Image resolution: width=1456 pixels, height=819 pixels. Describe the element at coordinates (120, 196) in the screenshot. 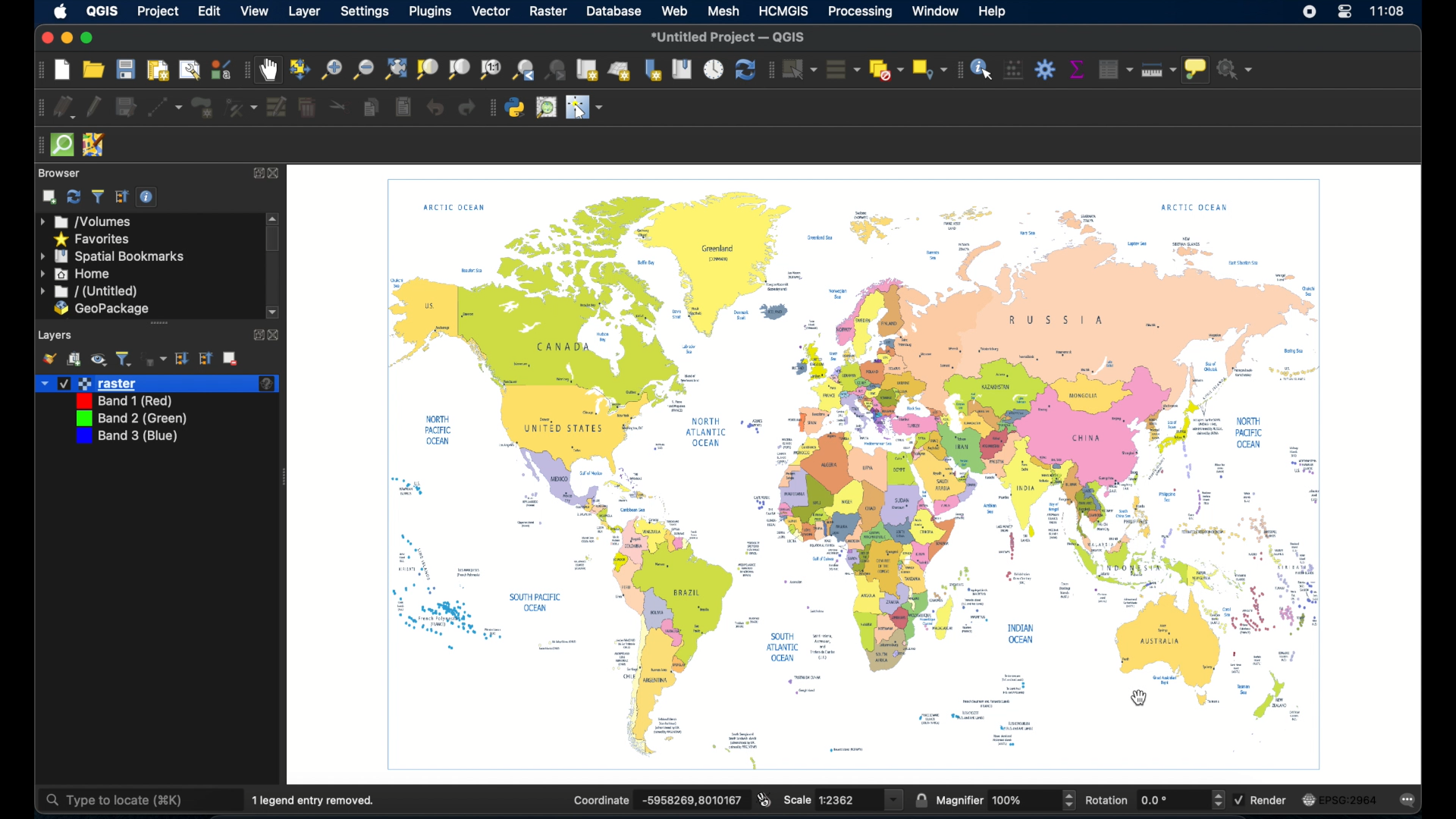

I see `collapse all` at that location.